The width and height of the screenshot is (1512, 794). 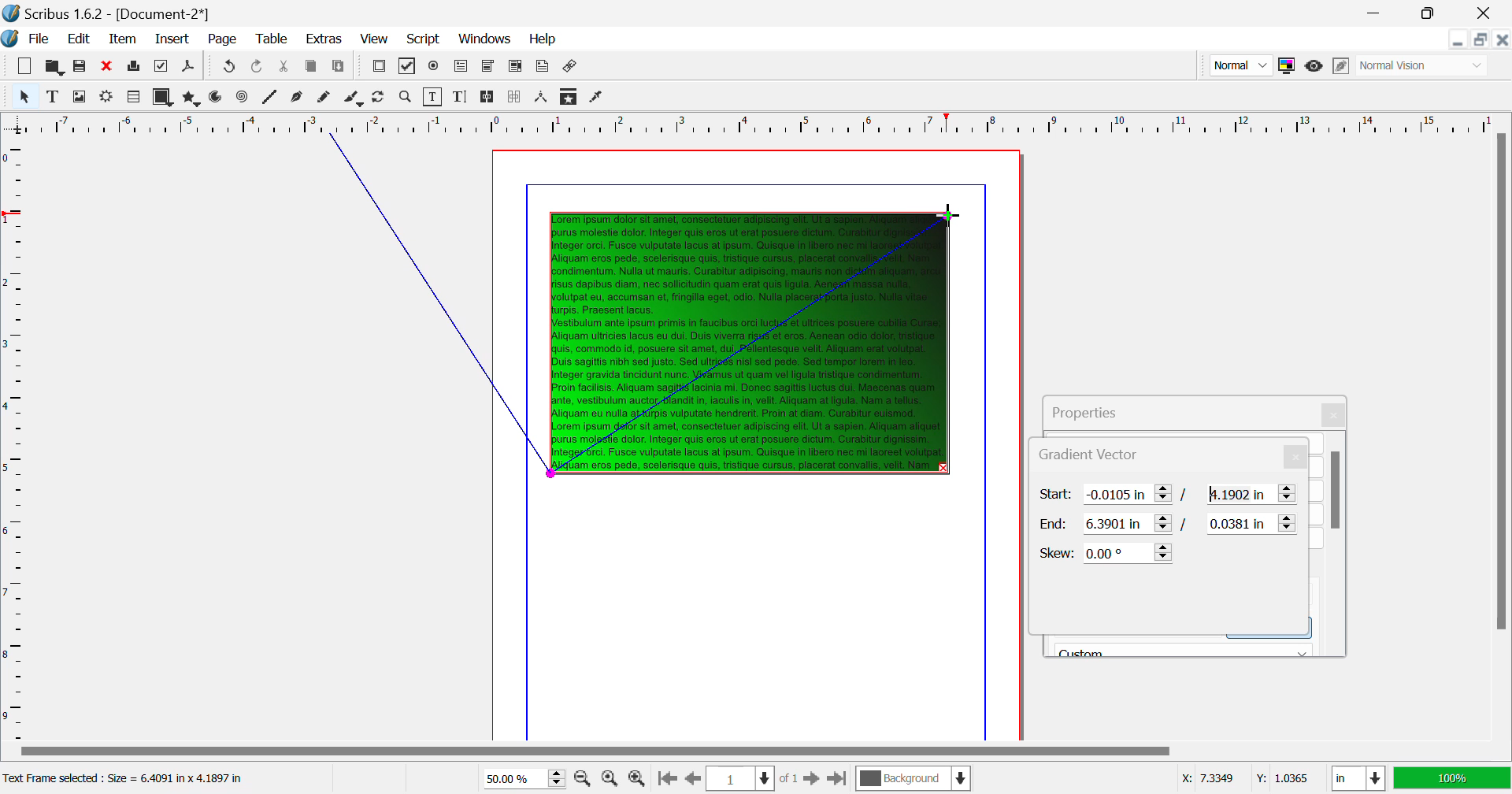 I want to click on Background, so click(x=913, y=780).